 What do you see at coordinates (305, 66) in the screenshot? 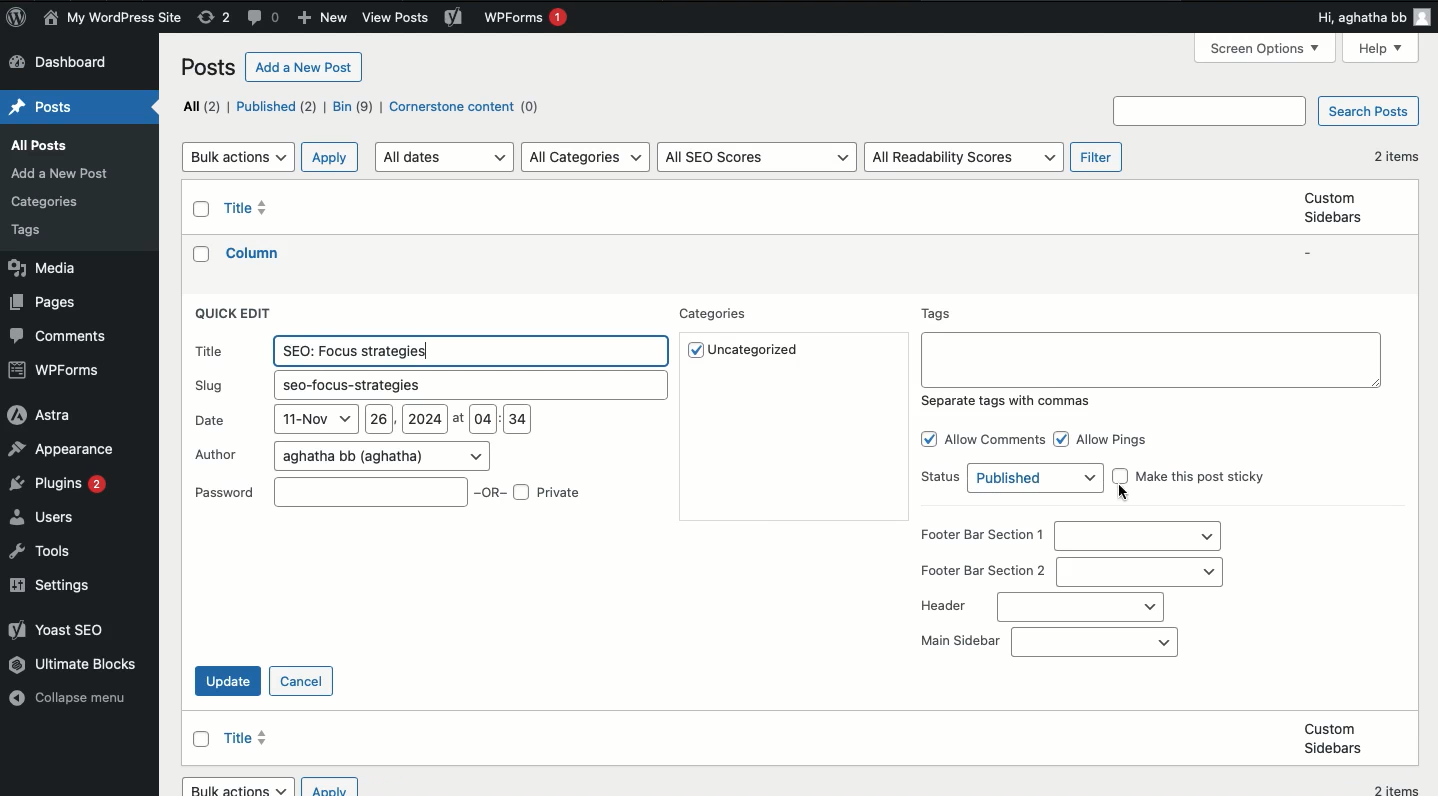
I see `Add a new post` at bounding box center [305, 66].